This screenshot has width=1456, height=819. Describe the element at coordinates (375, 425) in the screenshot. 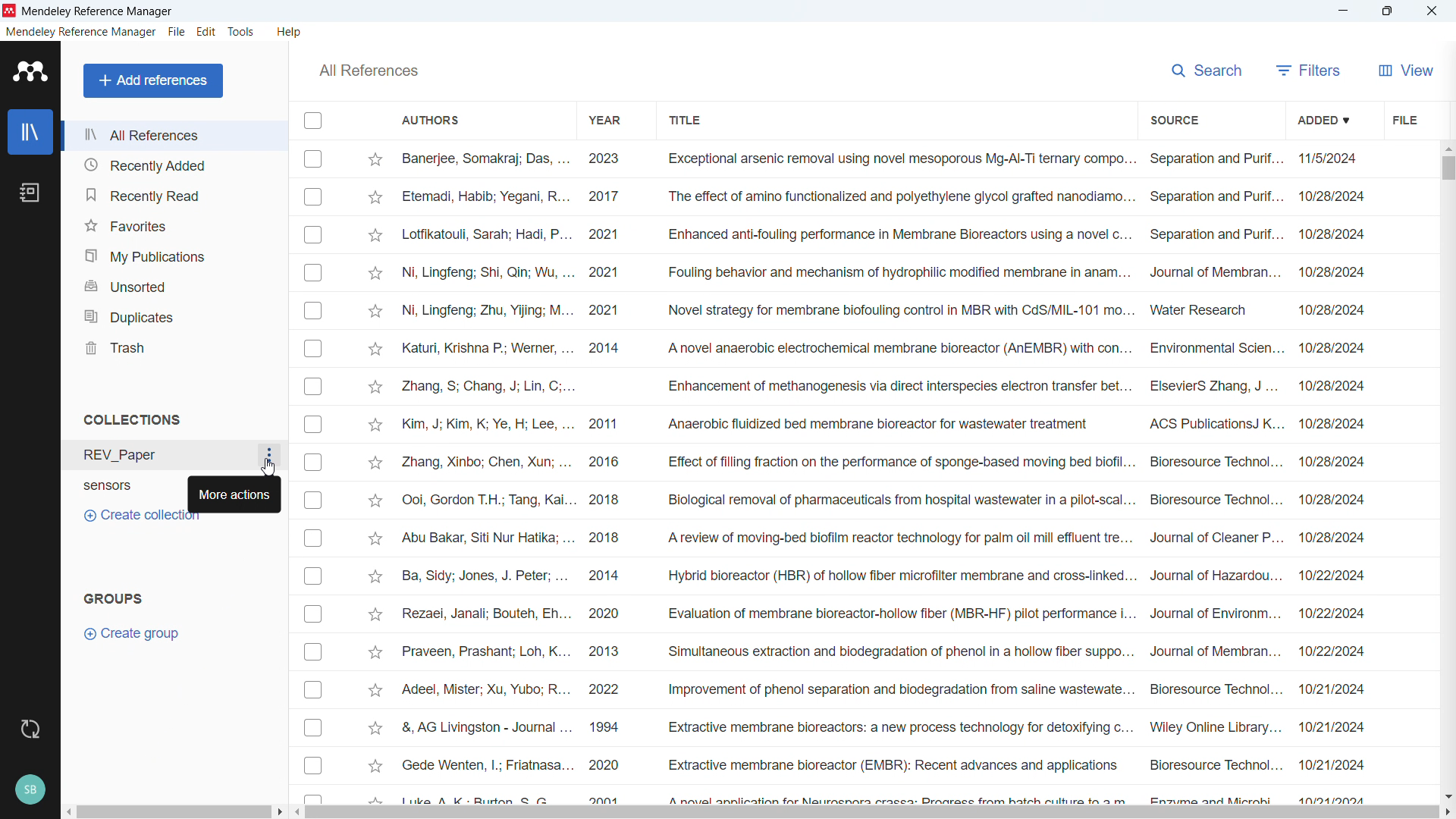

I see `Star mark respective publication` at that location.